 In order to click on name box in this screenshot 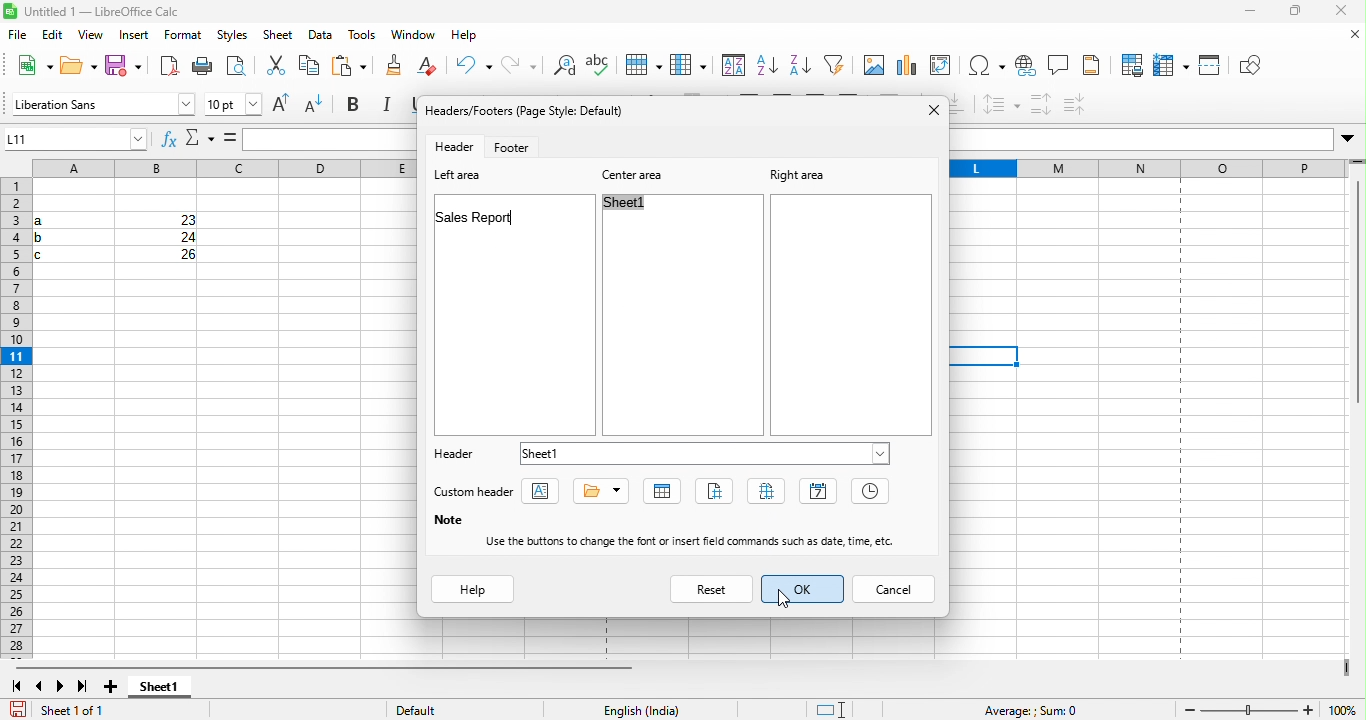, I will do `click(78, 140)`.